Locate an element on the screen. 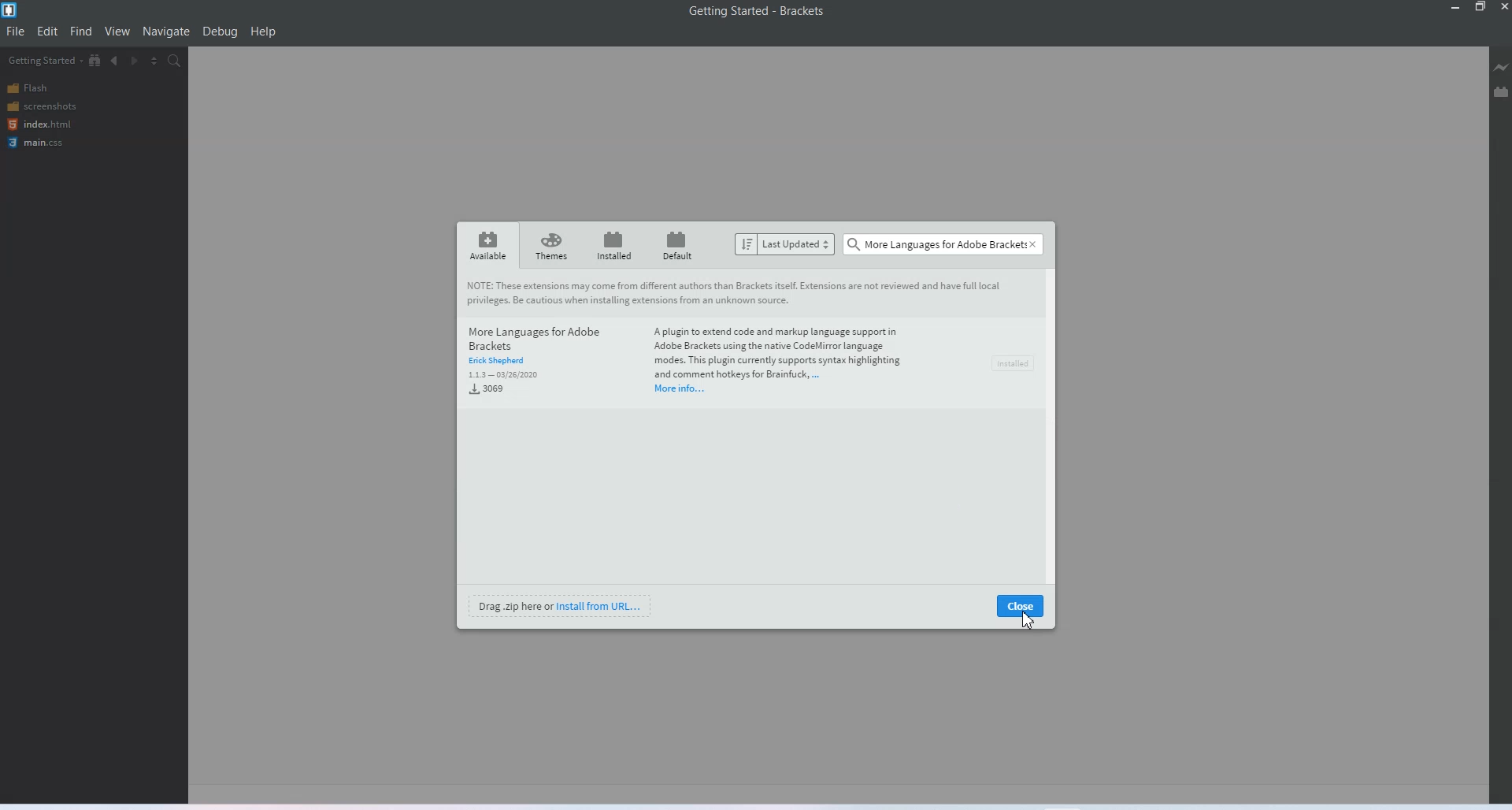 This screenshot has height=810, width=1512. Maximise is located at coordinates (1480, 7).